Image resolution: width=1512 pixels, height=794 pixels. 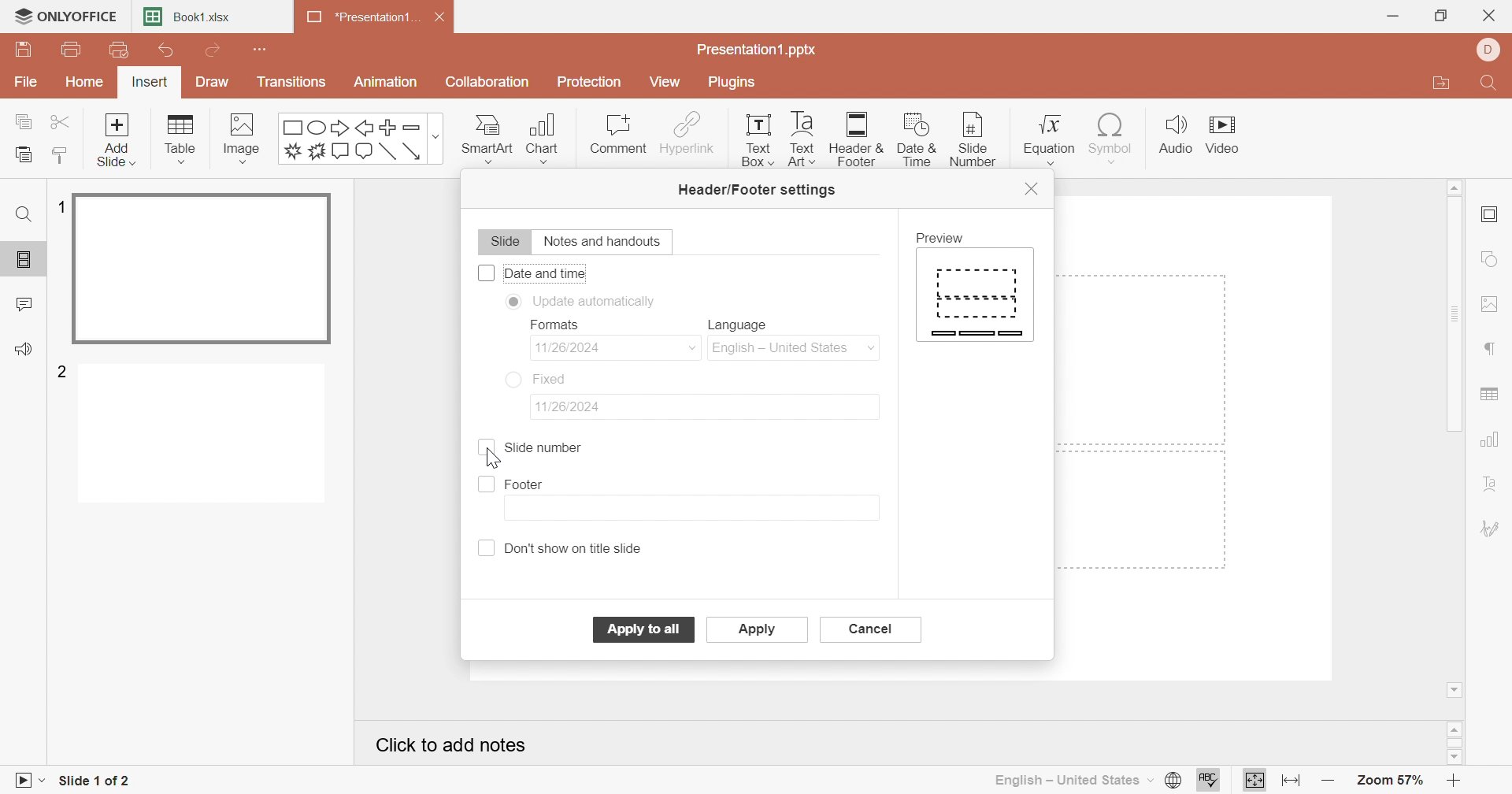 What do you see at coordinates (61, 155) in the screenshot?
I see `Copy Style` at bounding box center [61, 155].